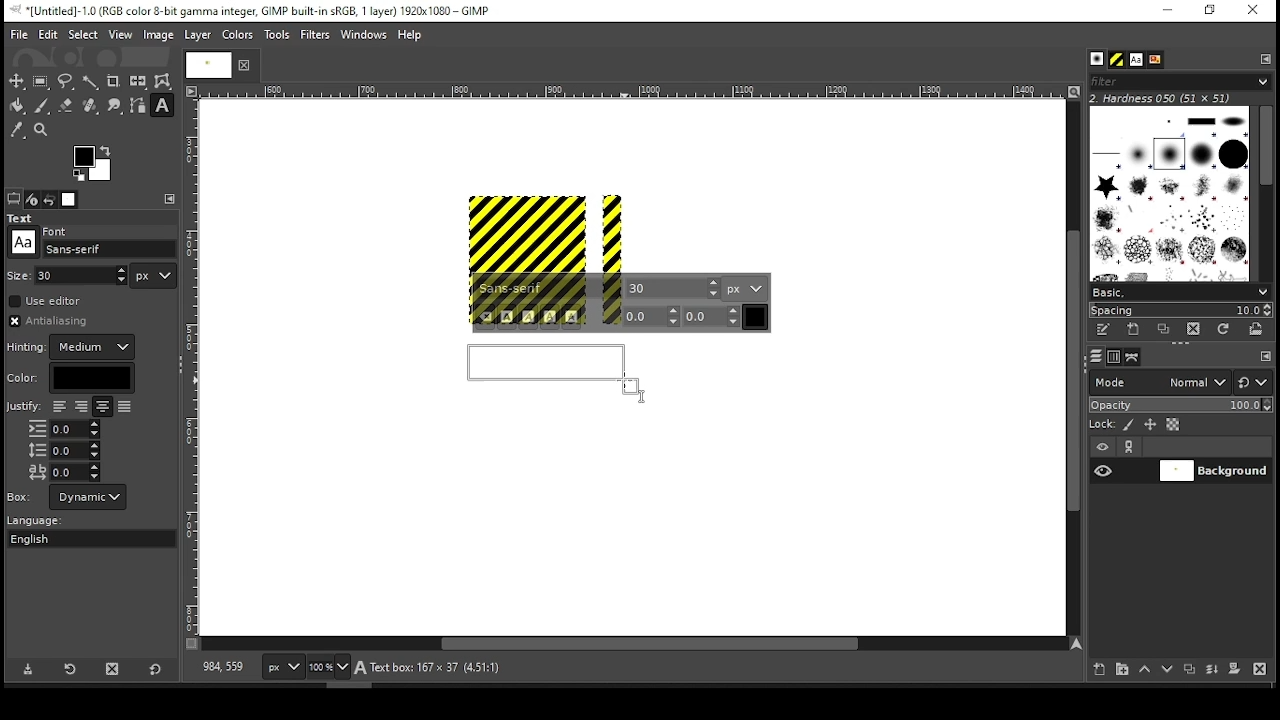  I want to click on smudge tool, so click(116, 106).